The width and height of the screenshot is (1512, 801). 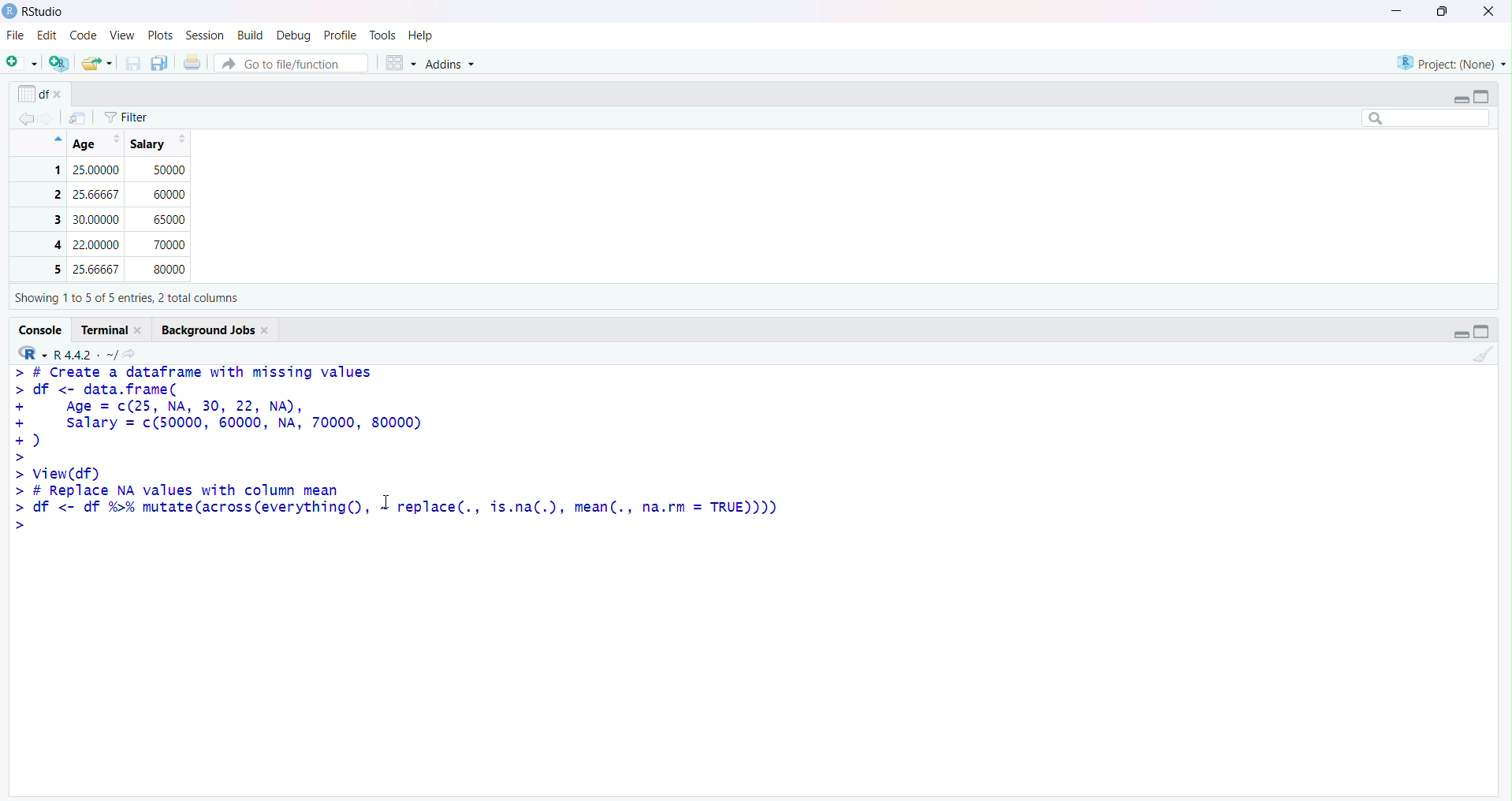 What do you see at coordinates (132, 62) in the screenshot?
I see `Save current document (Ctrl + S)` at bounding box center [132, 62].